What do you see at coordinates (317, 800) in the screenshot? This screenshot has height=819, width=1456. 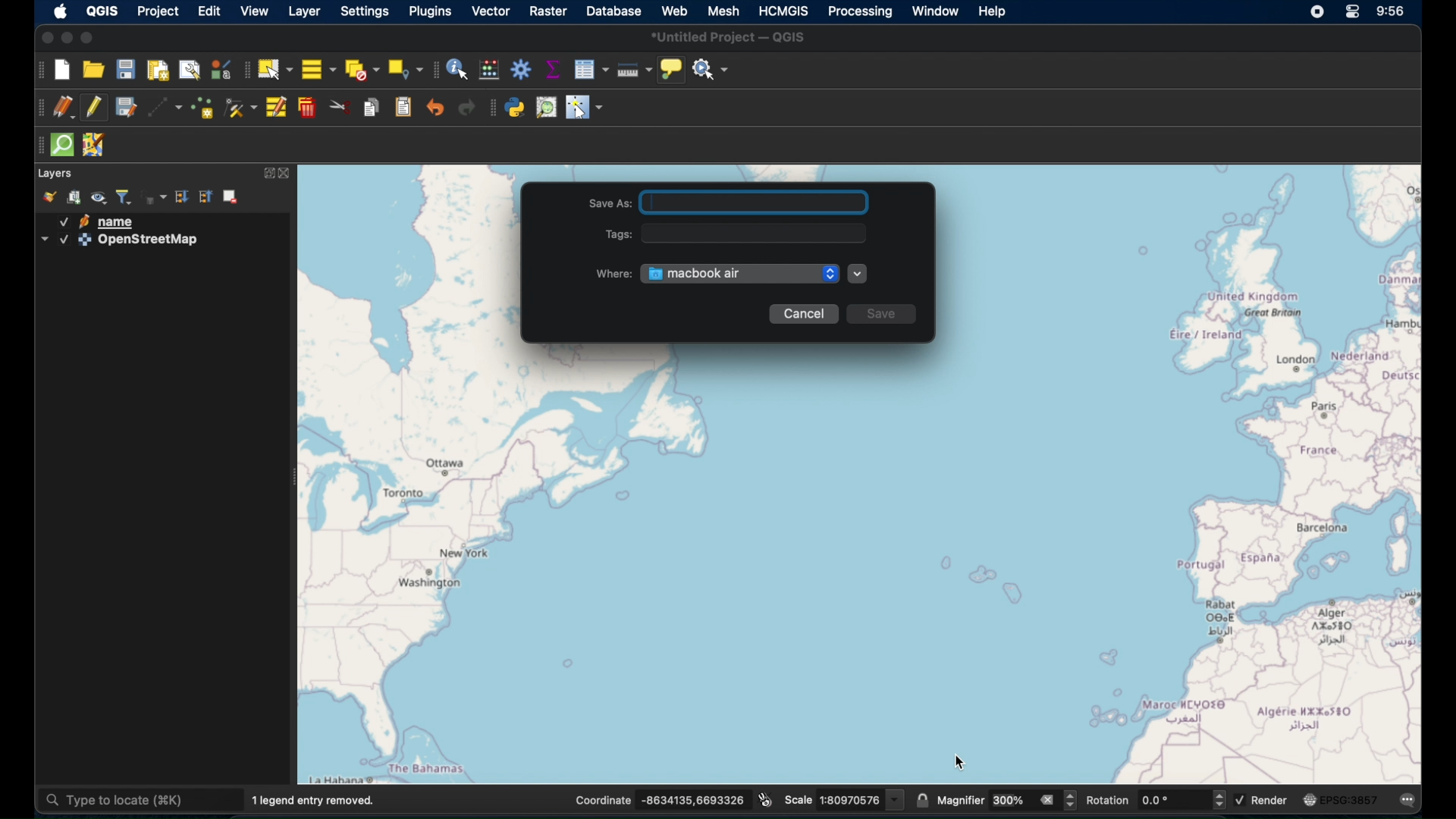 I see `1 legend entry removed` at bounding box center [317, 800].